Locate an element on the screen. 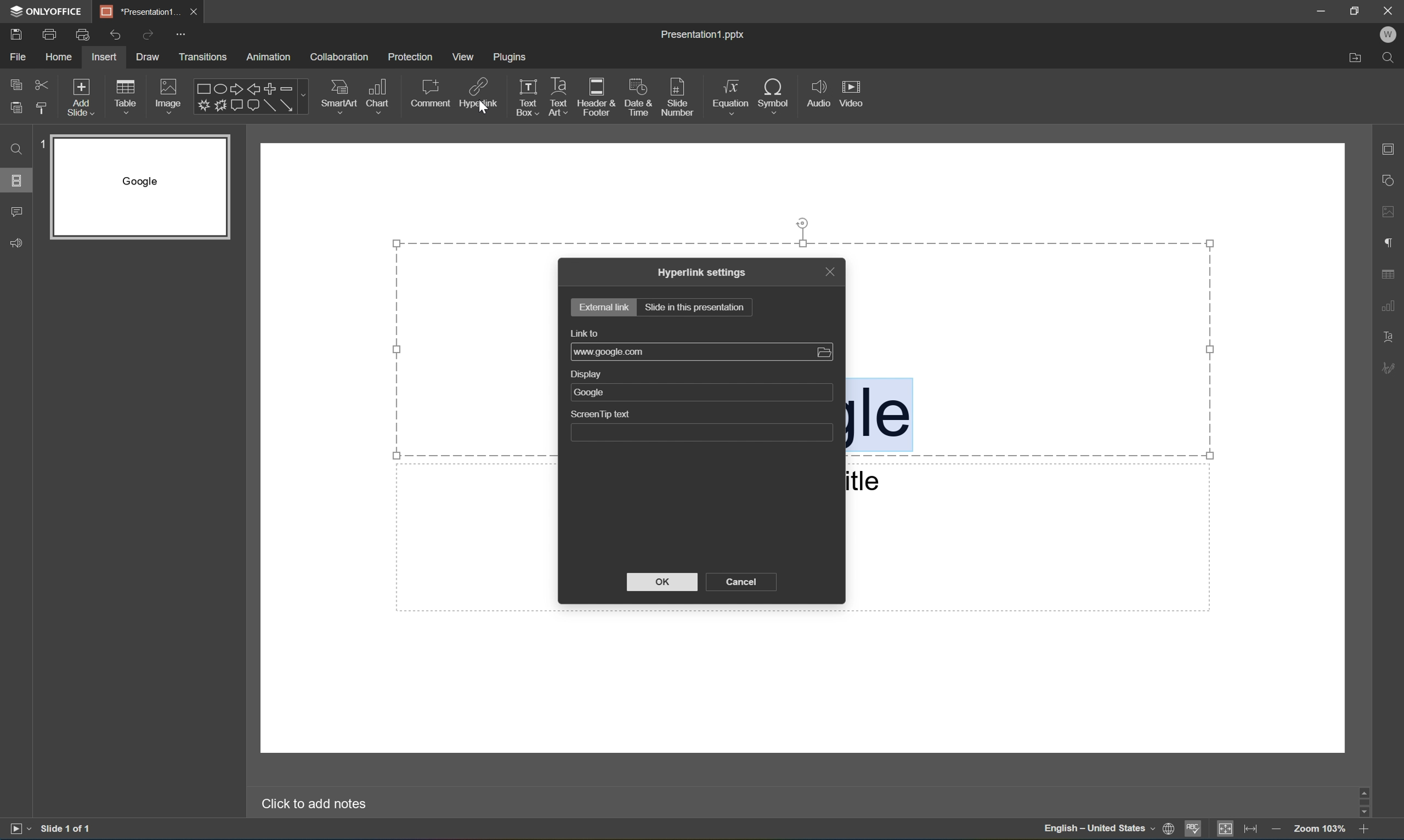 The width and height of the screenshot is (1404, 840). Equation is located at coordinates (731, 98).